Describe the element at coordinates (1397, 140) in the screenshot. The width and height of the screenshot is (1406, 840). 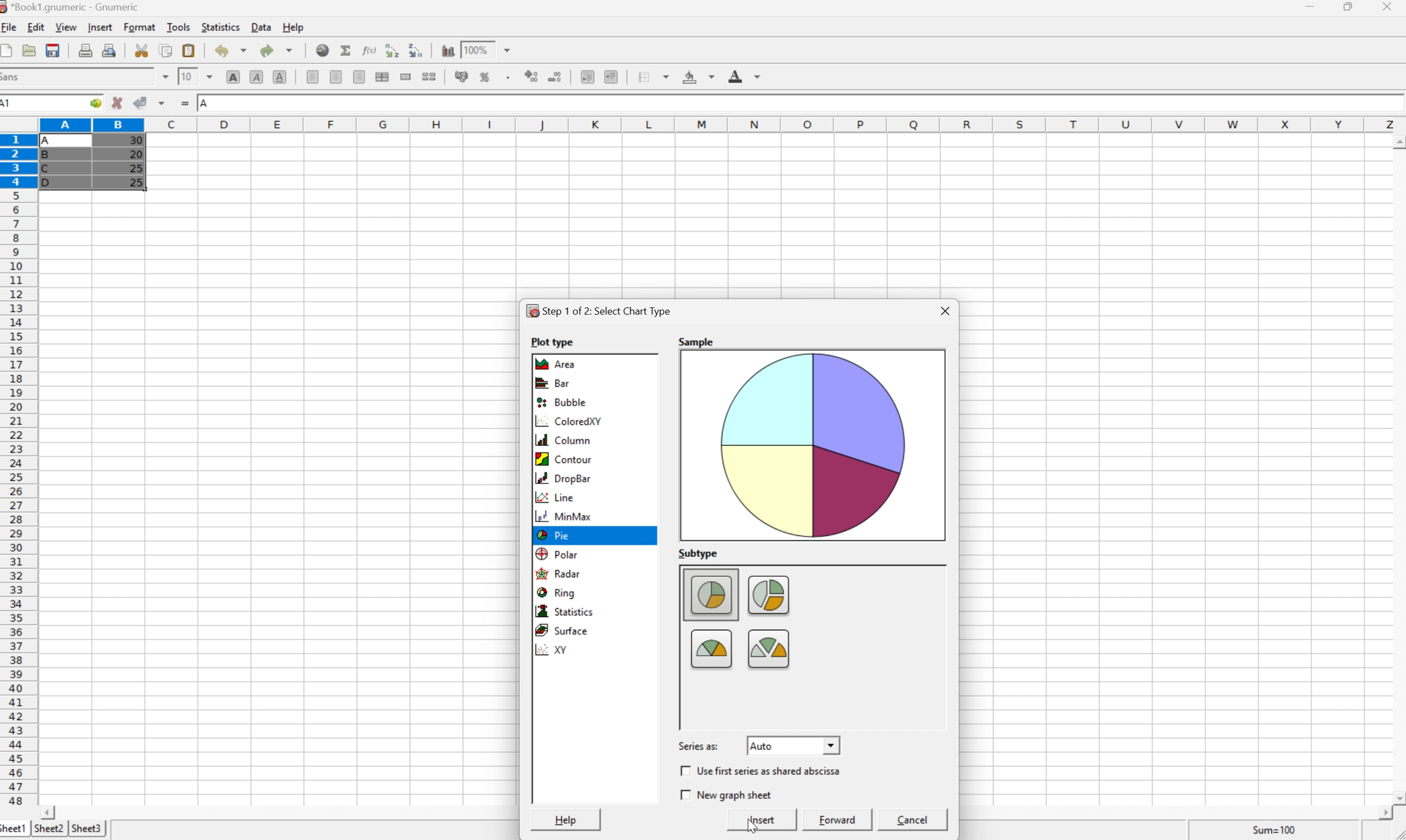
I see `Scroll Up` at that location.